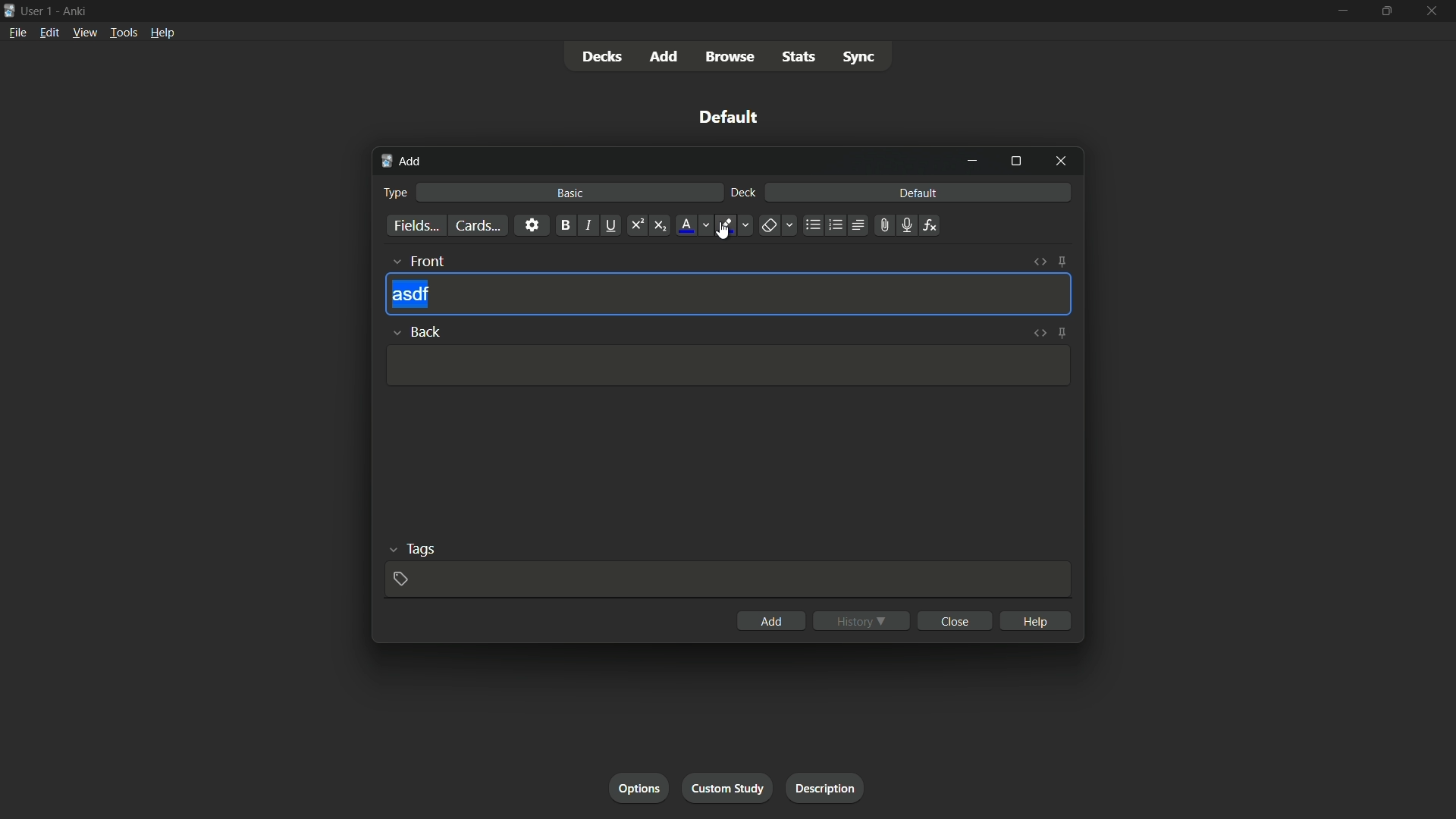 This screenshot has width=1456, height=819. What do you see at coordinates (604, 55) in the screenshot?
I see `decks` at bounding box center [604, 55].